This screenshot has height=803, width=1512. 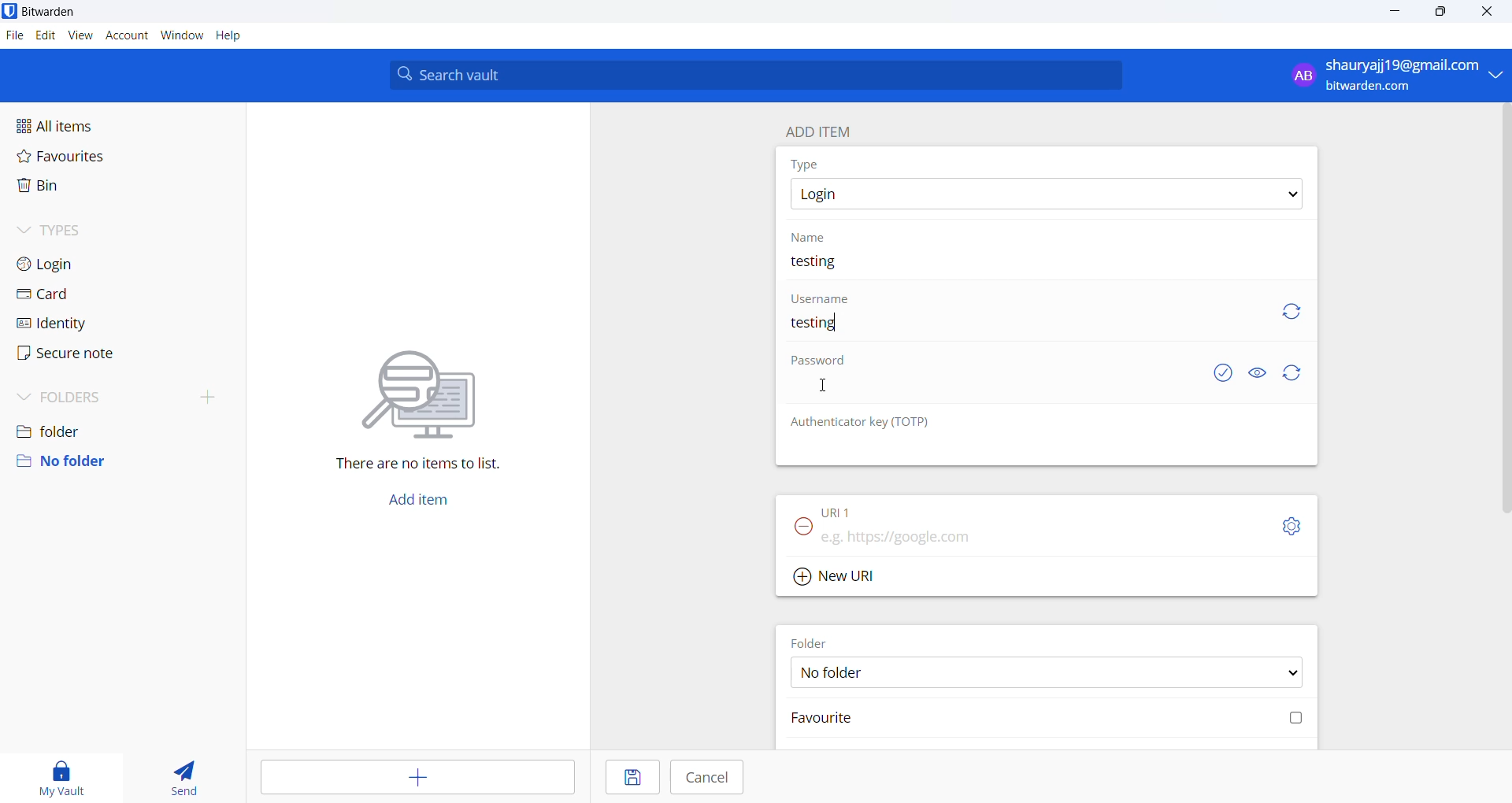 I want to click on my vault, so click(x=62, y=774).